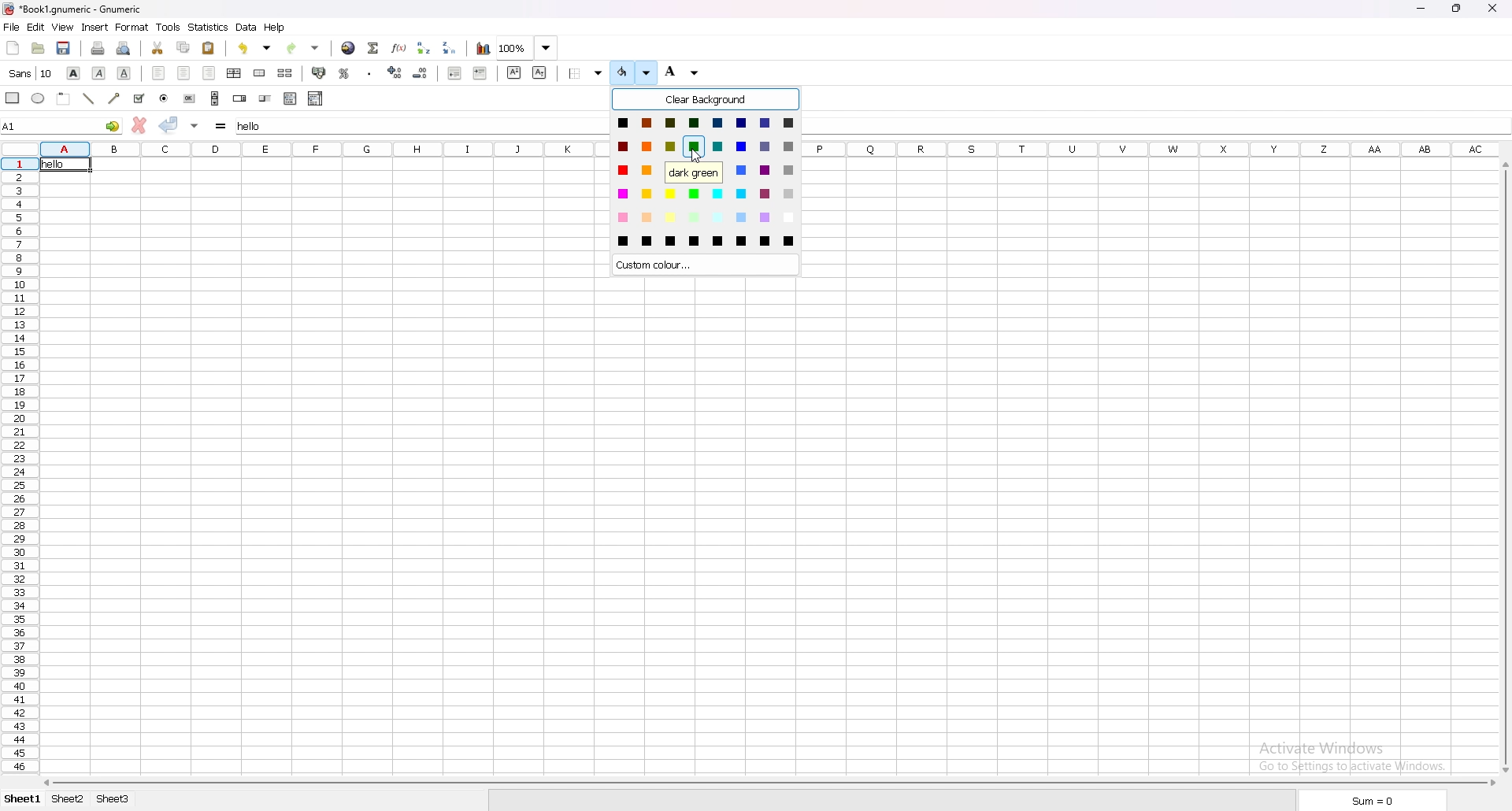  I want to click on custom color, so click(705, 265).